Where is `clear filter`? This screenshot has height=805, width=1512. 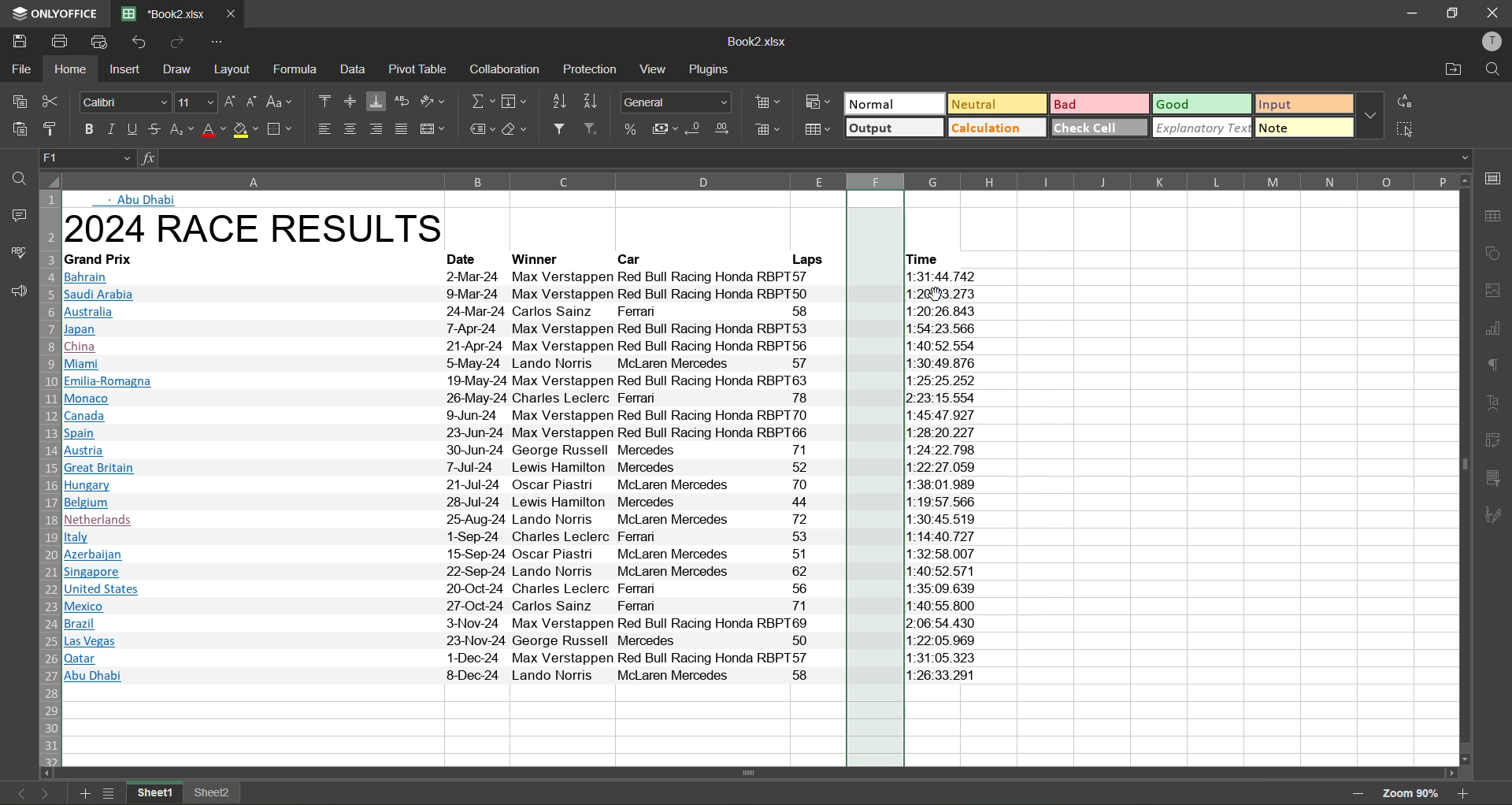
clear filter is located at coordinates (592, 128).